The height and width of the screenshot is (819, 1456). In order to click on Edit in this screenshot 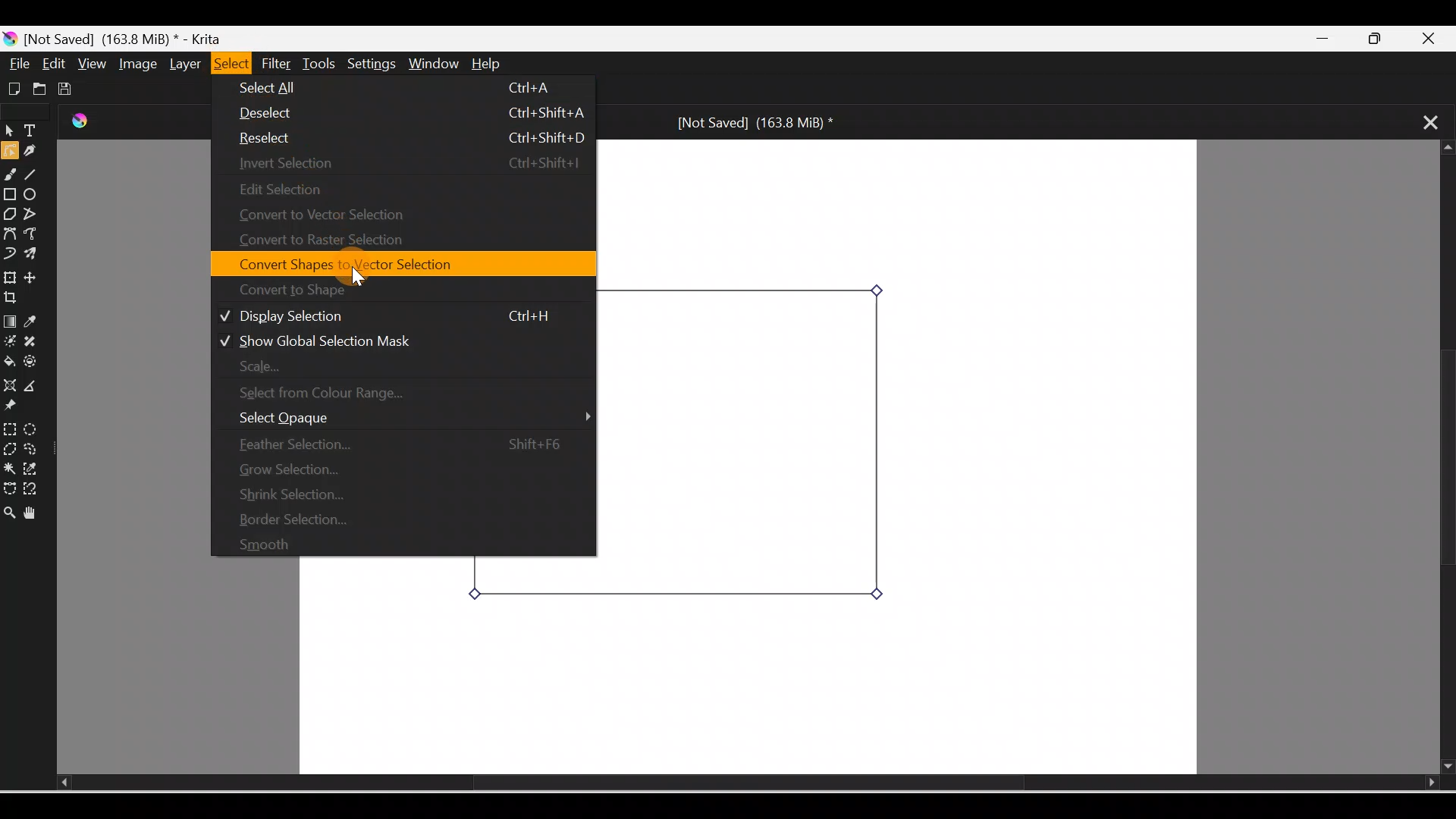, I will do `click(55, 64)`.